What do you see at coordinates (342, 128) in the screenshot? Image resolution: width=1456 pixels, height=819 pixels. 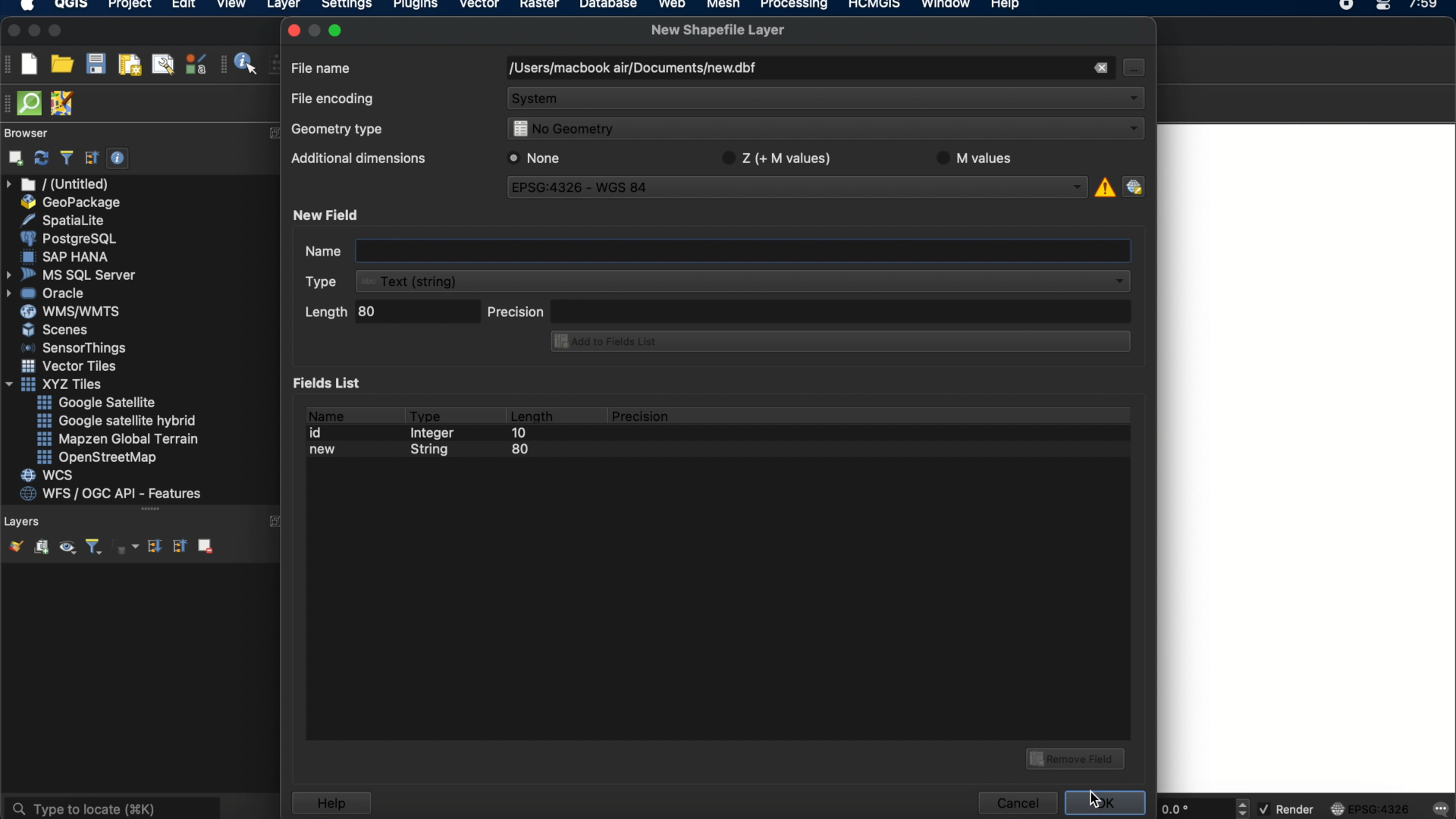 I see `Geometry type` at bounding box center [342, 128].